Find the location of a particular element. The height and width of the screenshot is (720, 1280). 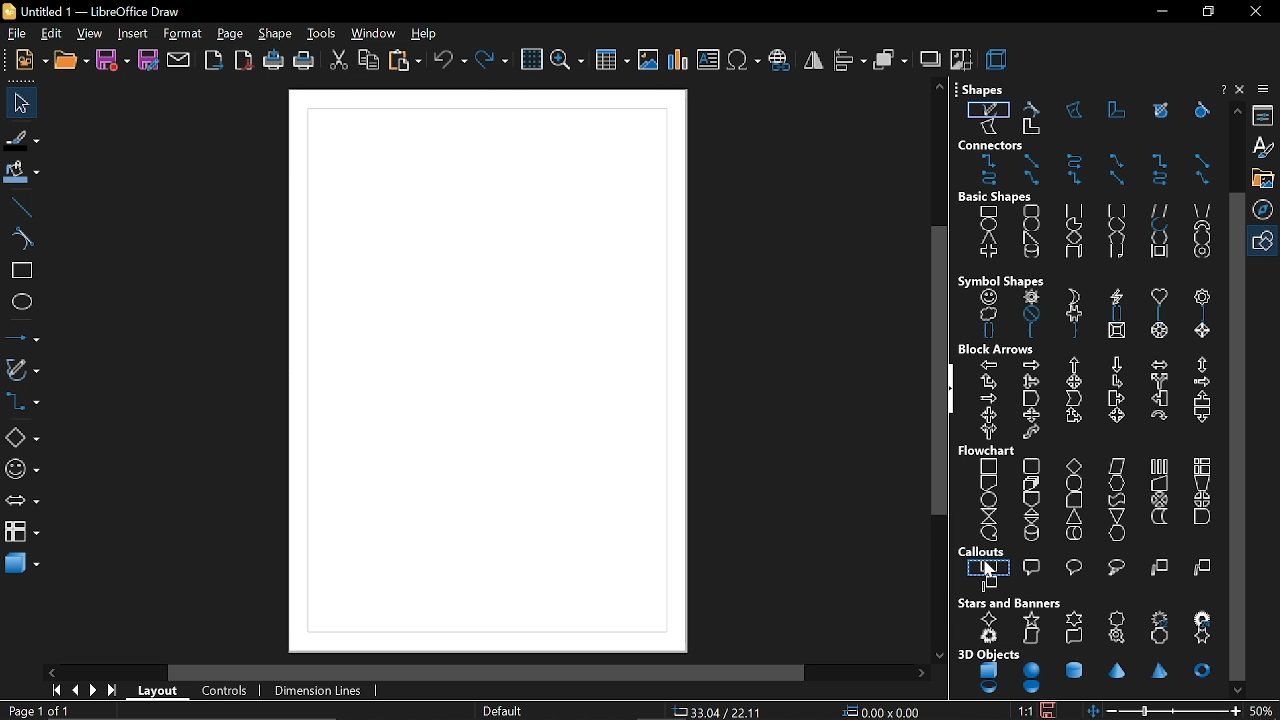

circle segment is located at coordinates (1116, 226).